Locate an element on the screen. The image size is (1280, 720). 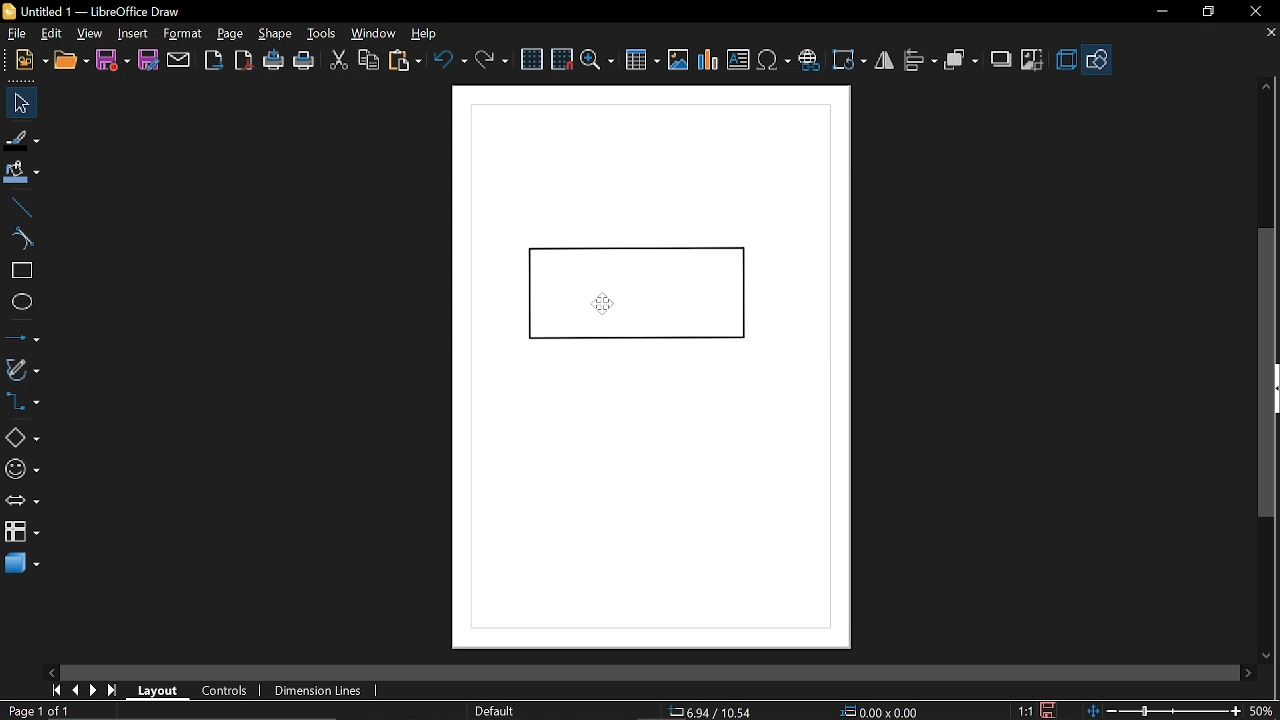
fill line is located at coordinates (22, 140).